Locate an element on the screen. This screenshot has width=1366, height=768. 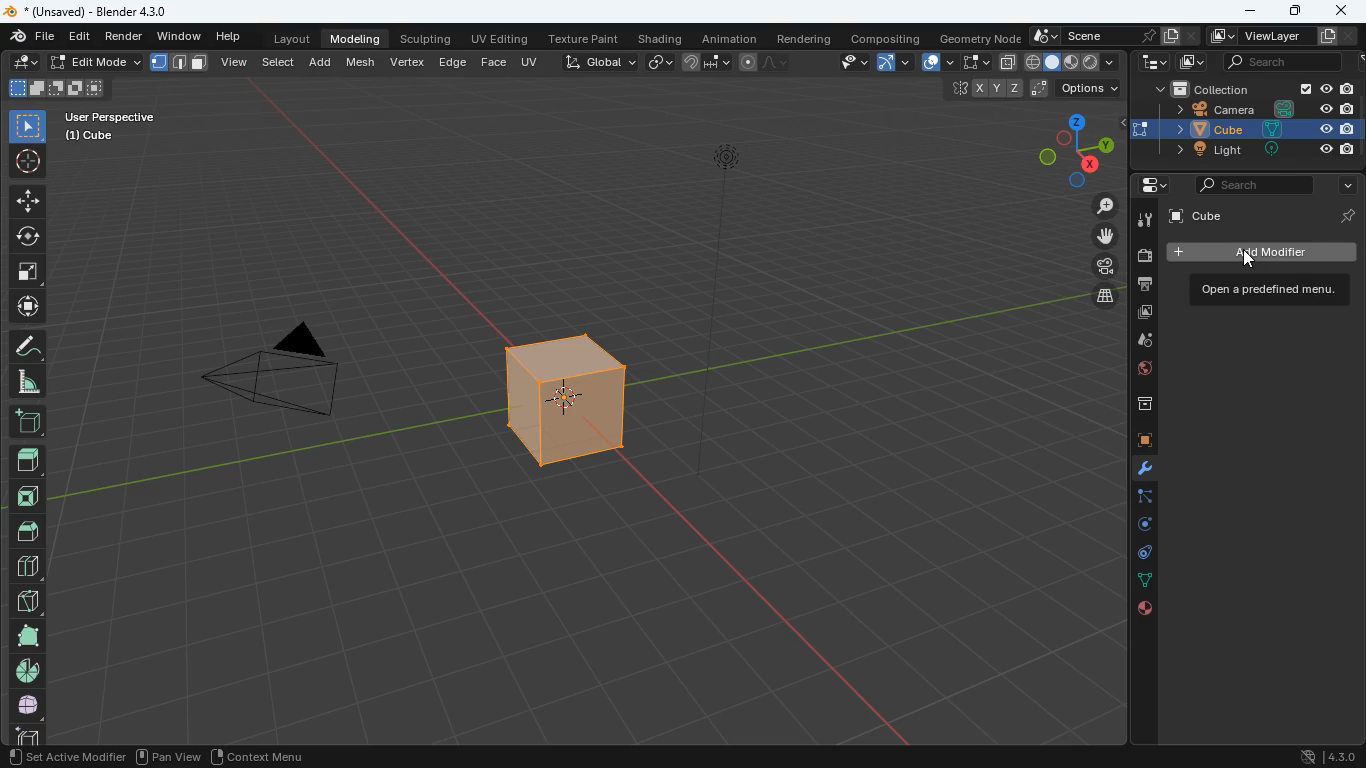
camera is located at coordinates (297, 381).